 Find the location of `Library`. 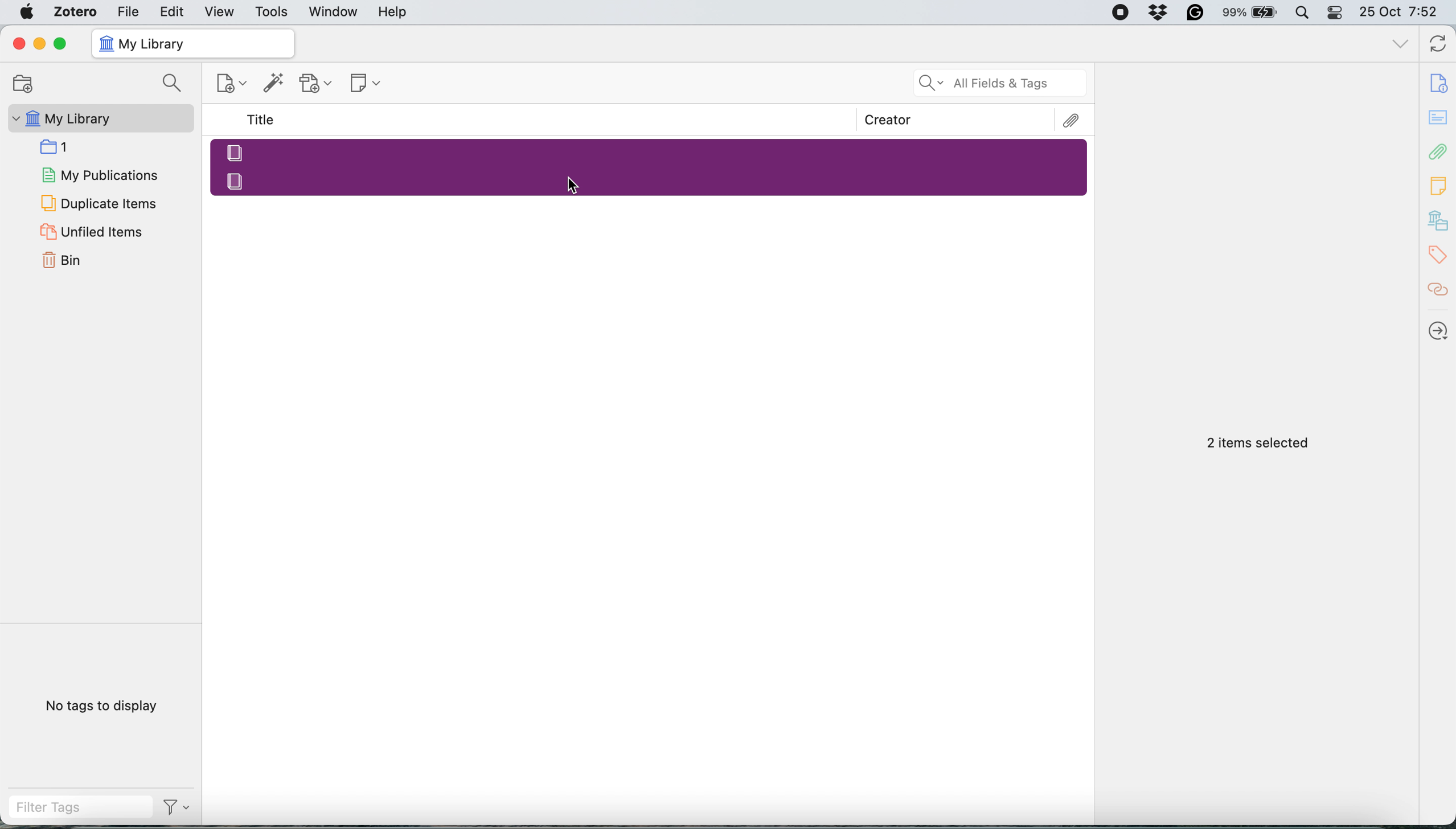

Library is located at coordinates (1439, 221).